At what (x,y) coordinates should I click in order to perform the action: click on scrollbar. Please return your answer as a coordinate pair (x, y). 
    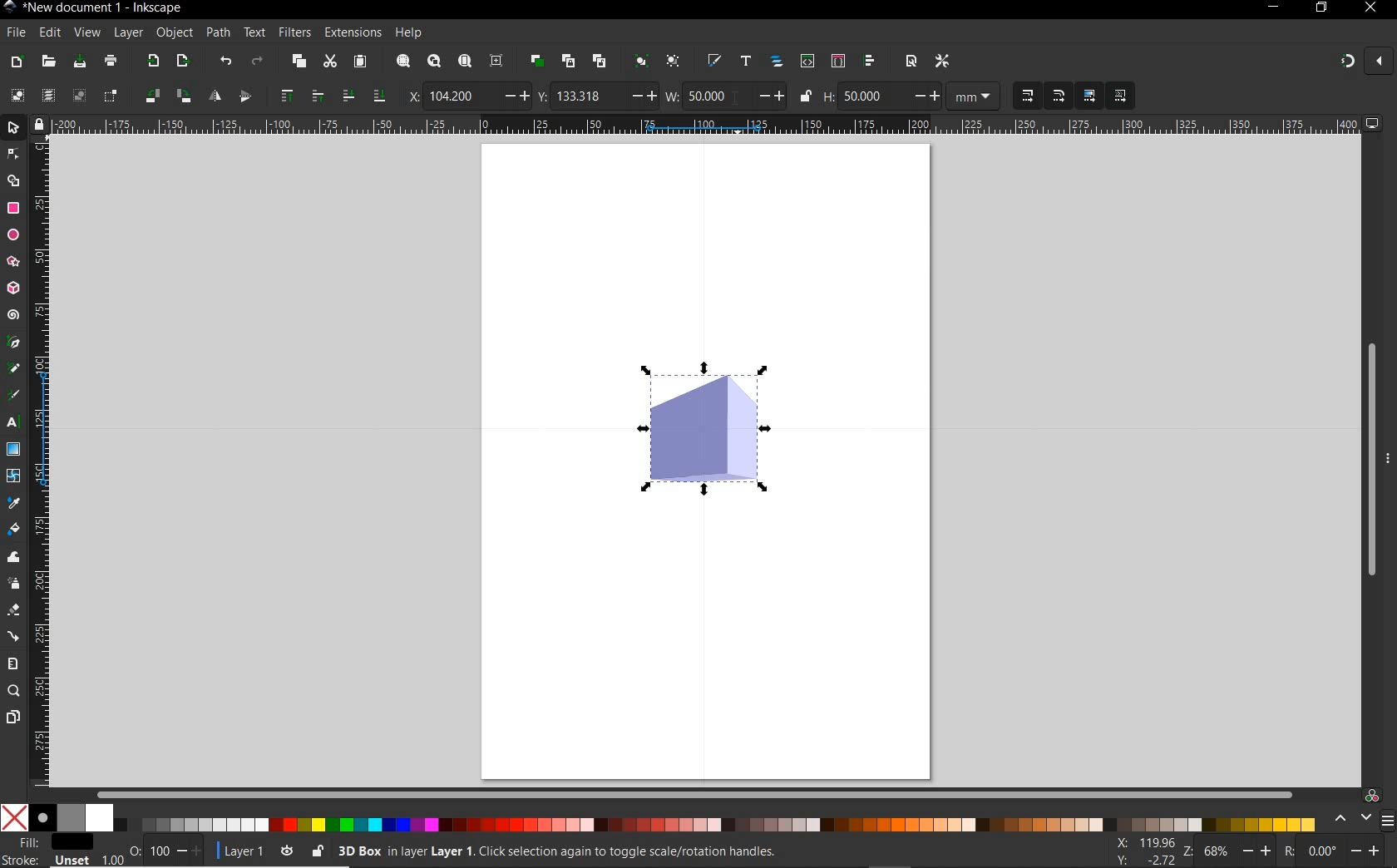
    Looking at the image, I should click on (697, 793).